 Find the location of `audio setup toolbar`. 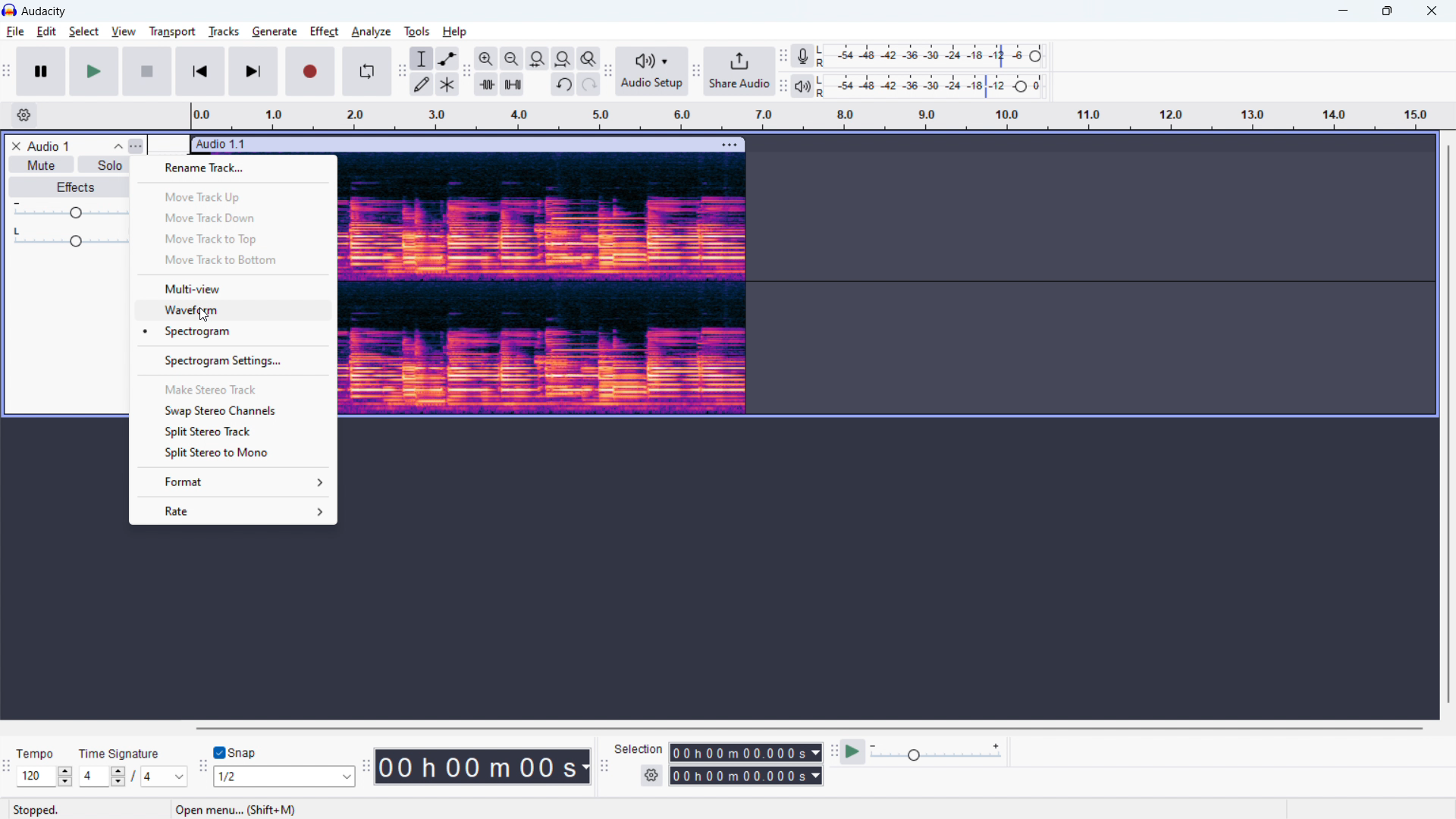

audio setup toolbar is located at coordinates (608, 71).